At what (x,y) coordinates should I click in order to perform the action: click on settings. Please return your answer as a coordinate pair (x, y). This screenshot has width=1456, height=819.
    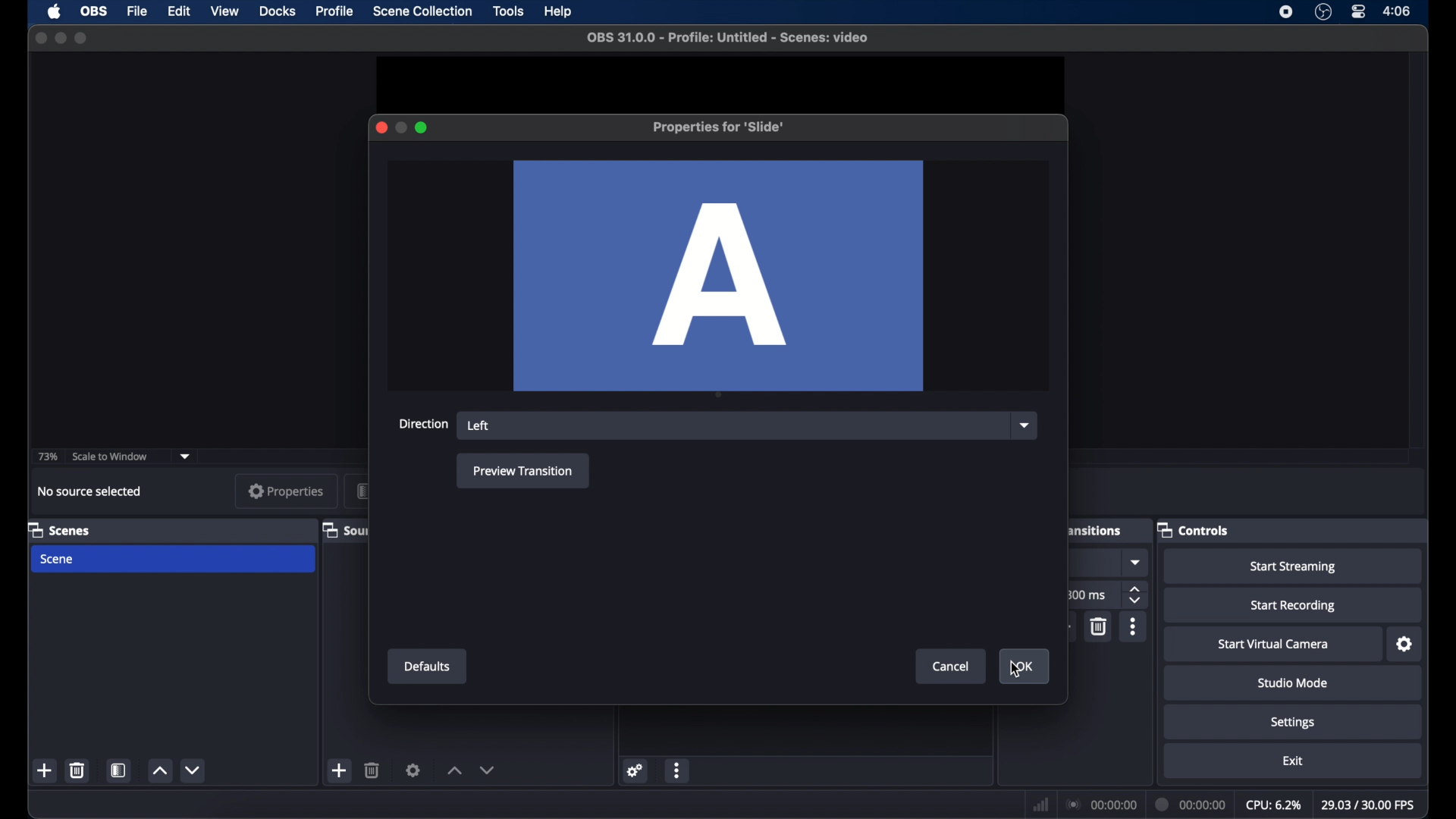
    Looking at the image, I should click on (1292, 723).